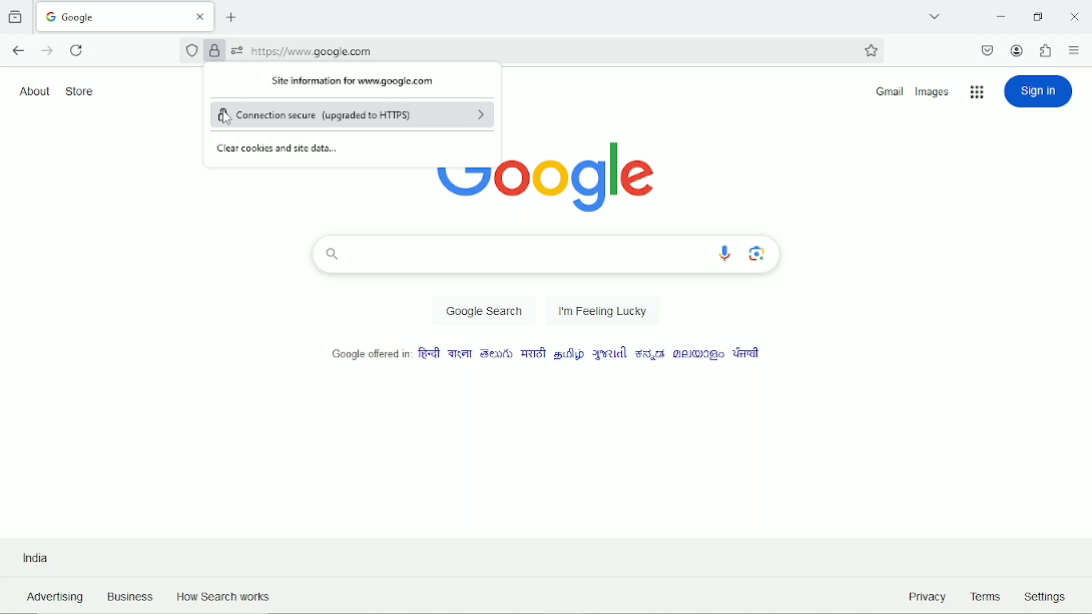 Image resolution: width=1092 pixels, height=614 pixels. I want to click on language, so click(743, 355).